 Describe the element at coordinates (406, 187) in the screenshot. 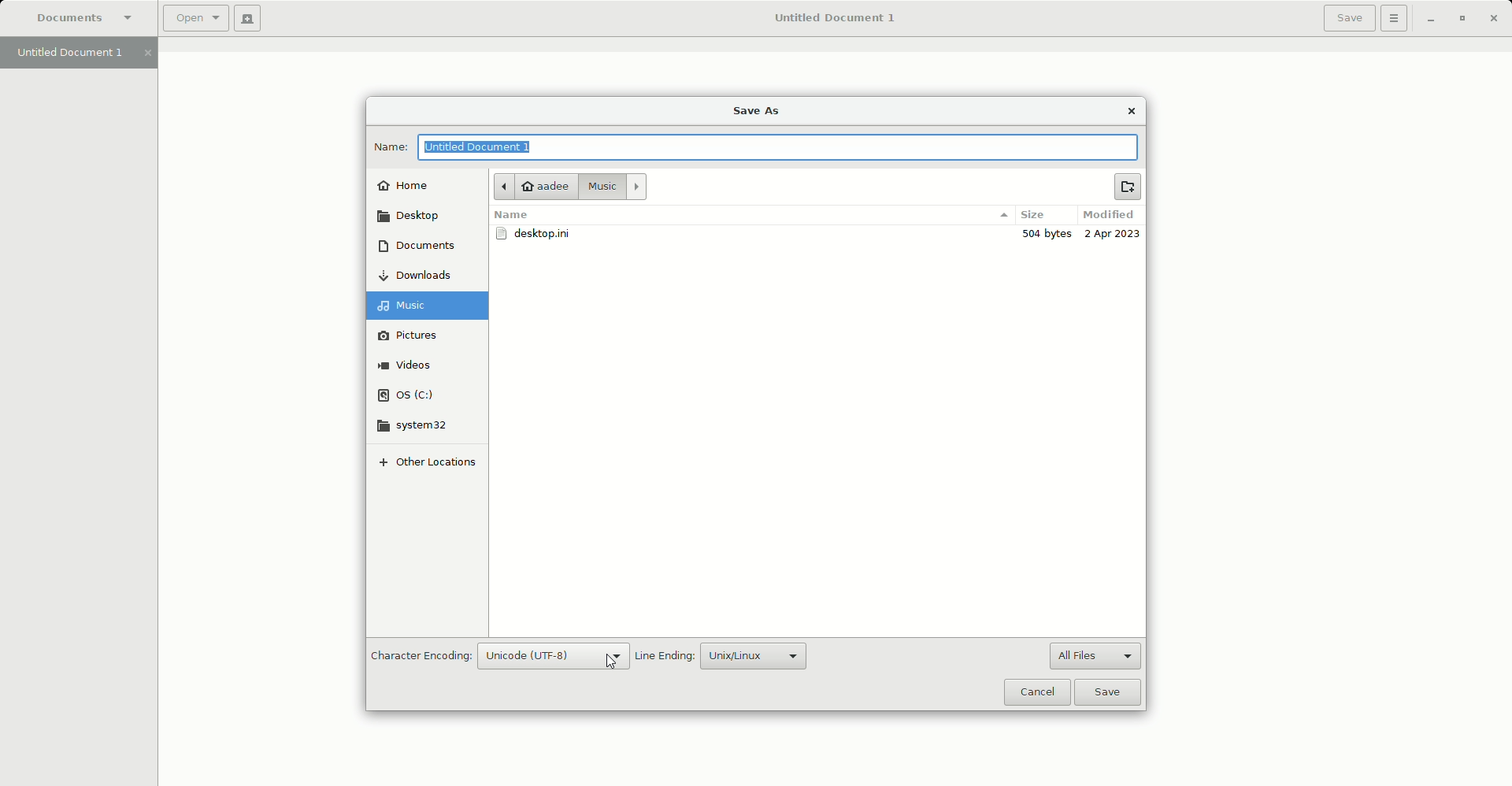

I see `Home` at that location.